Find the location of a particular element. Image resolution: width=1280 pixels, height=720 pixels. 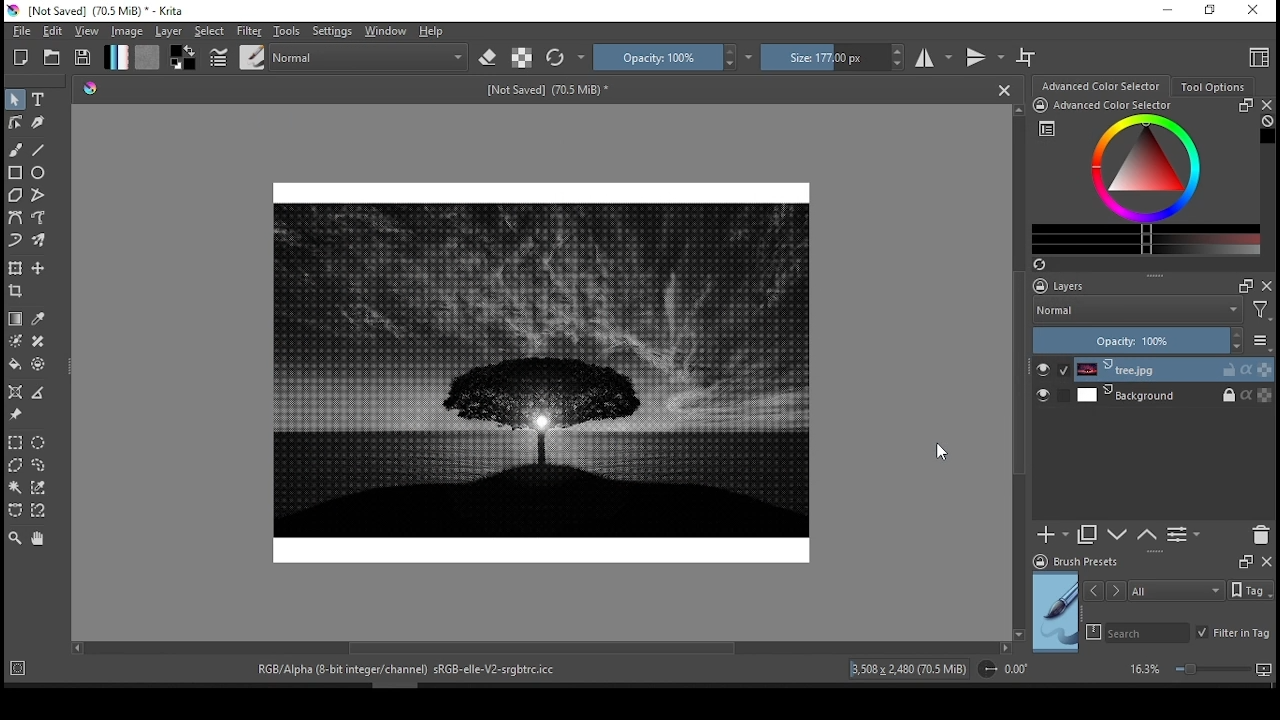

tag is located at coordinates (1255, 593).